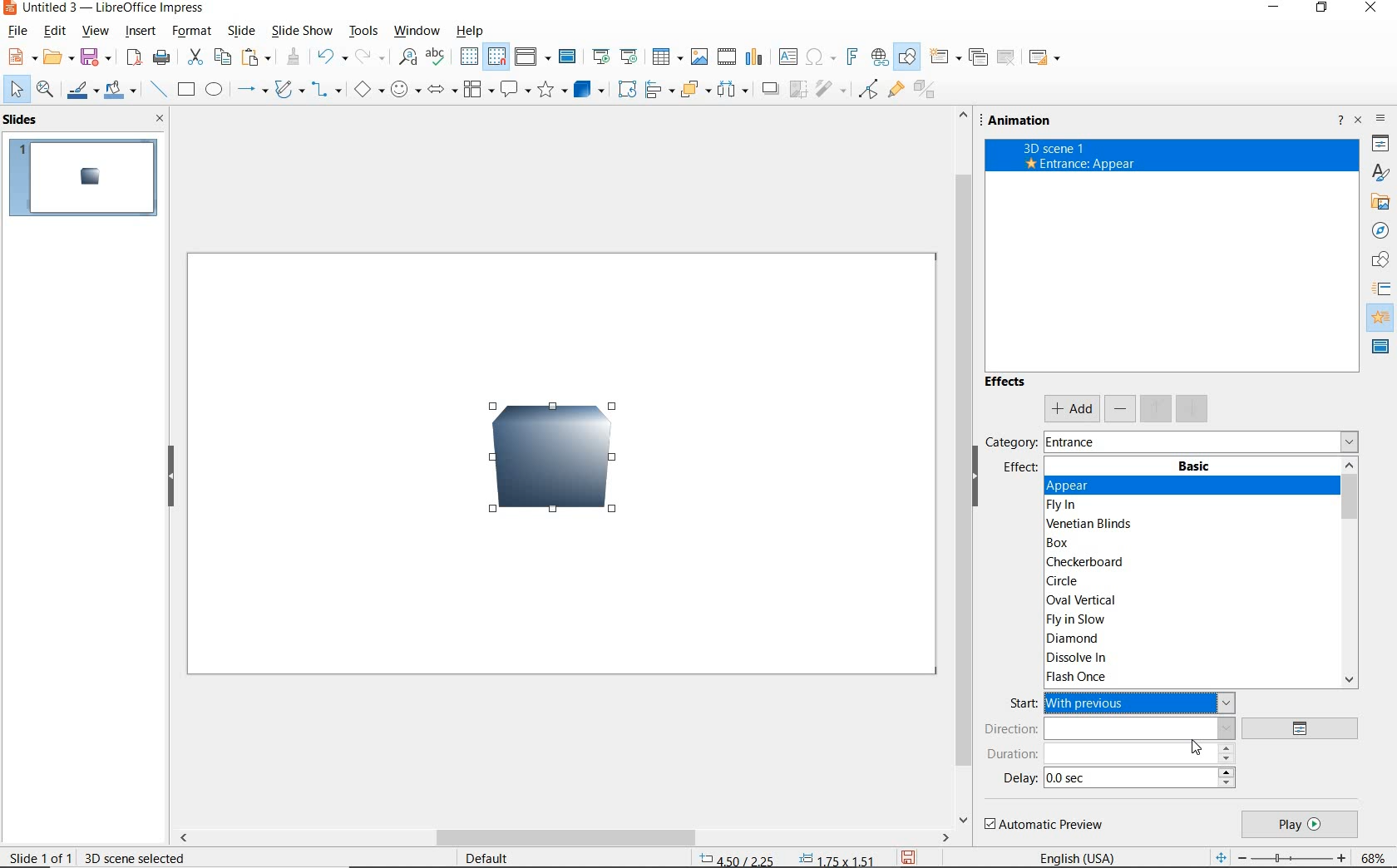 The height and width of the screenshot is (868, 1397). What do you see at coordinates (1024, 121) in the screenshot?
I see `animation` at bounding box center [1024, 121].